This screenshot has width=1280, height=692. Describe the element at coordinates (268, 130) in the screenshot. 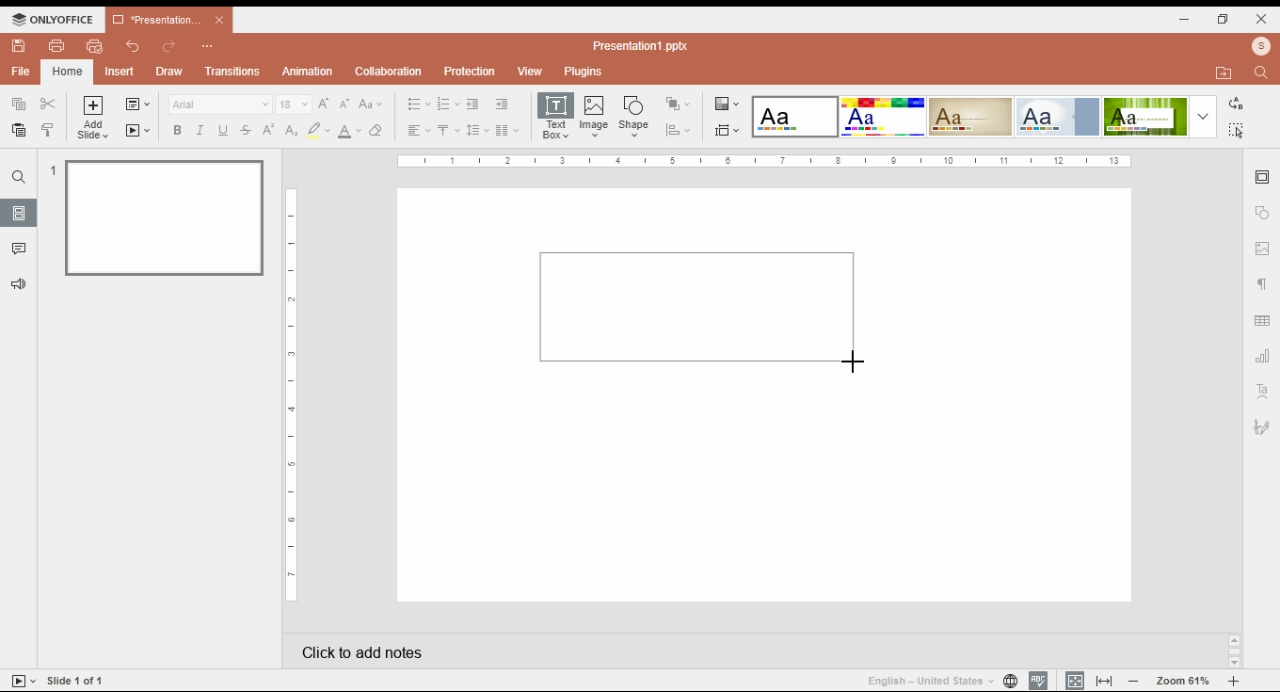

I see `superscript` at that location.